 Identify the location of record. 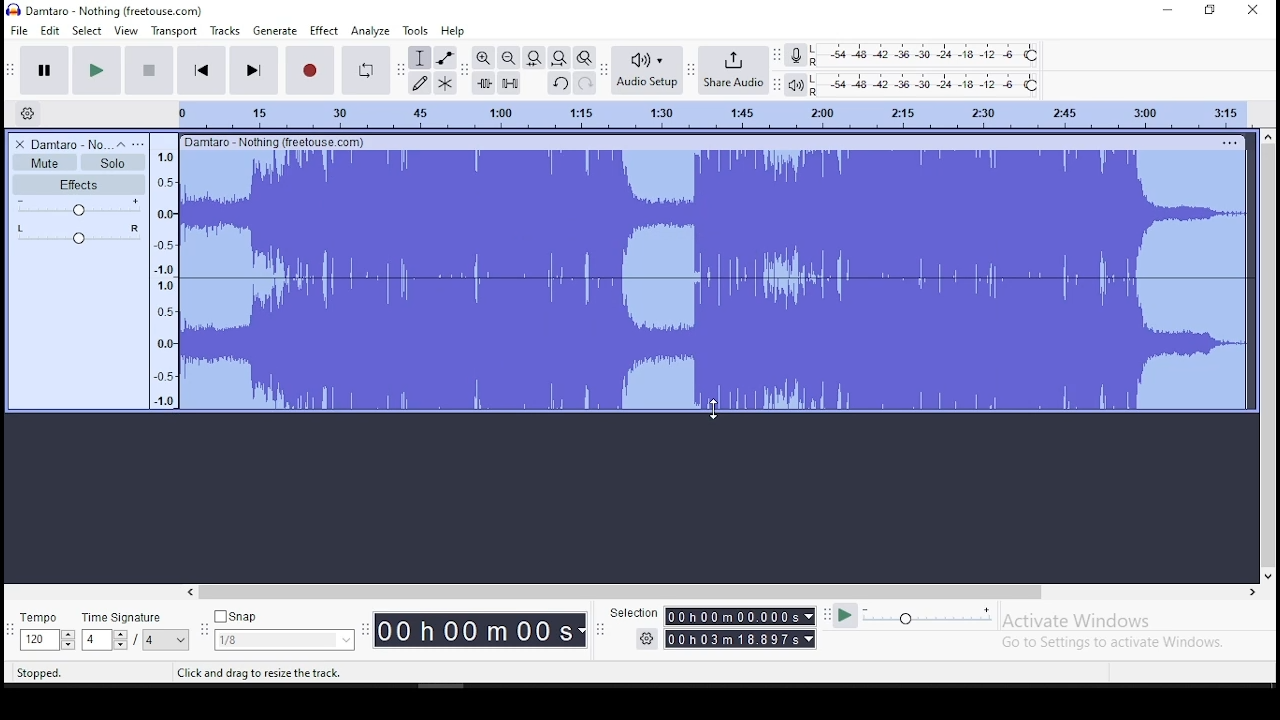
(311, 71).